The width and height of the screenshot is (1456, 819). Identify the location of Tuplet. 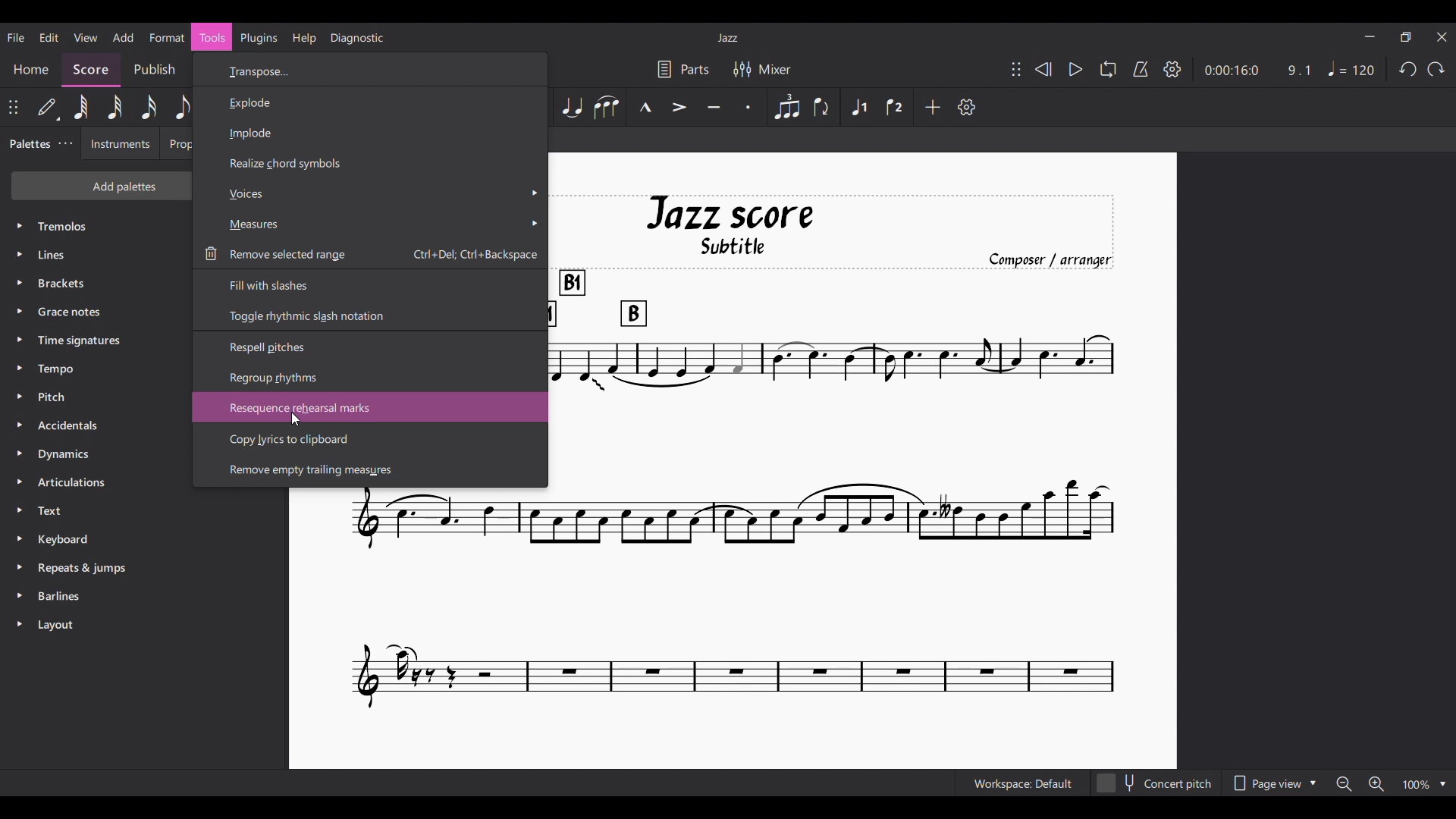
(788, 107).